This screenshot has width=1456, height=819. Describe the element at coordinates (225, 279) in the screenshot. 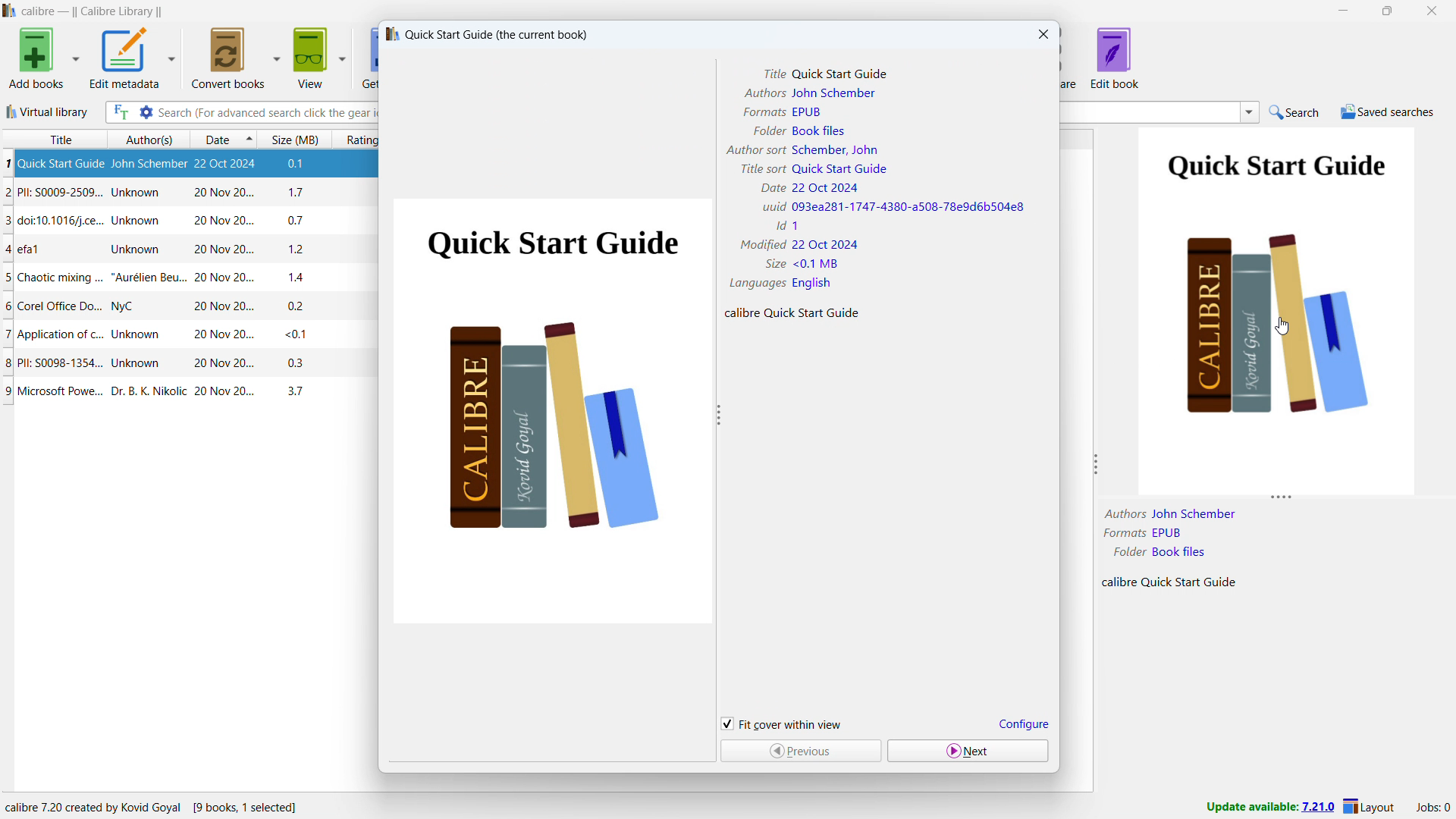

I see `20 Nov 20..` at that location.